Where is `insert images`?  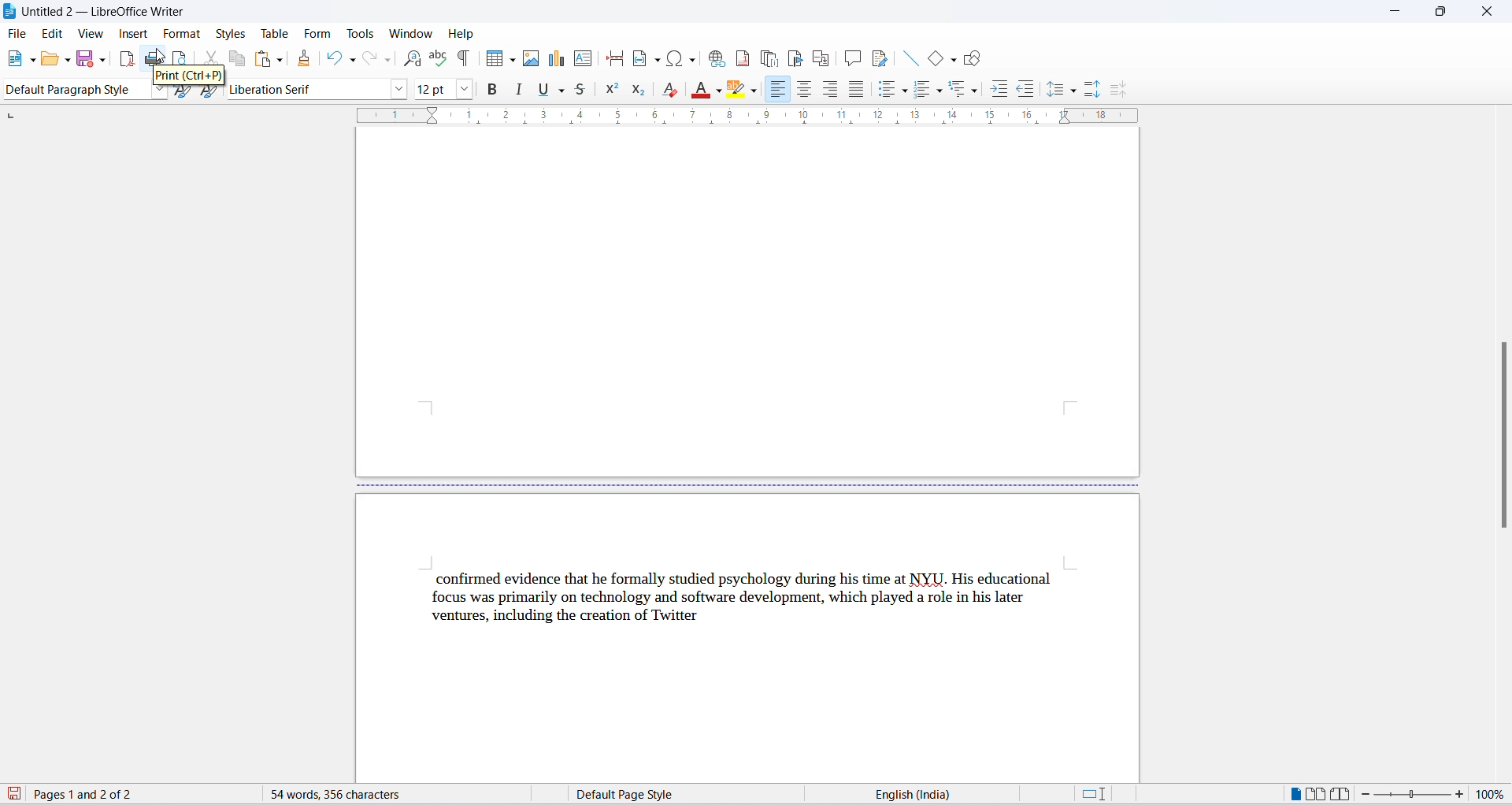
insert images is located at coordinates (534, 58).